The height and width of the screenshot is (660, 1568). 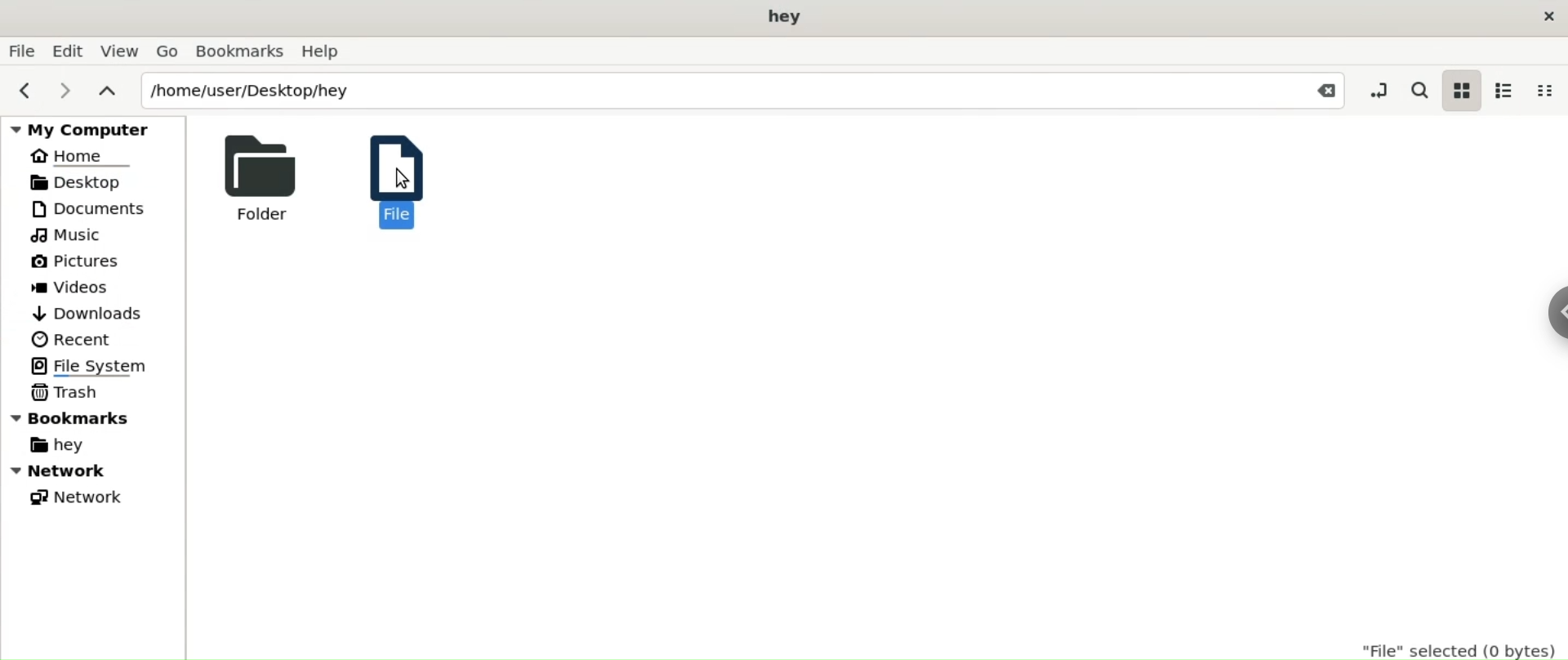 What do you see at coordinates (64, 94) in the screenshot?
I see `next` at bounding box center [64, 94].